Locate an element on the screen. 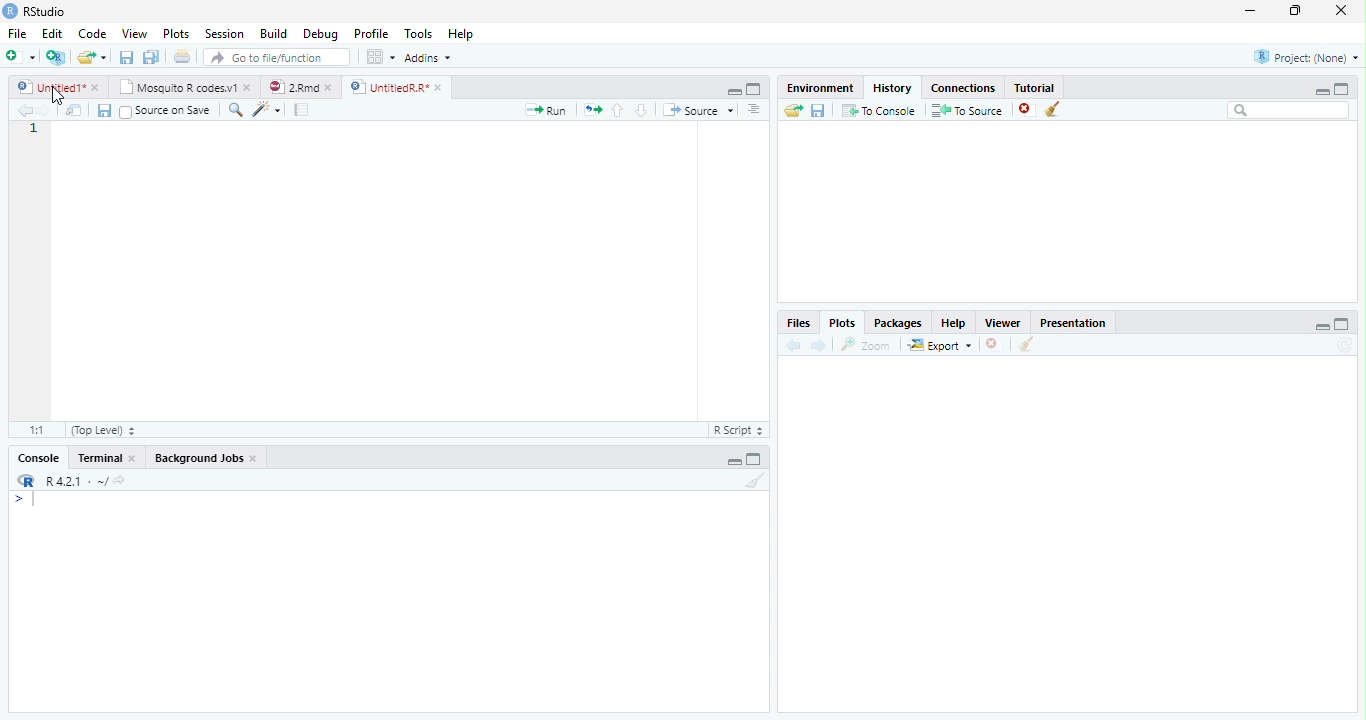 This screenshot has width=1366, height=720. Background Jobs is located at coordinates (199, 458).